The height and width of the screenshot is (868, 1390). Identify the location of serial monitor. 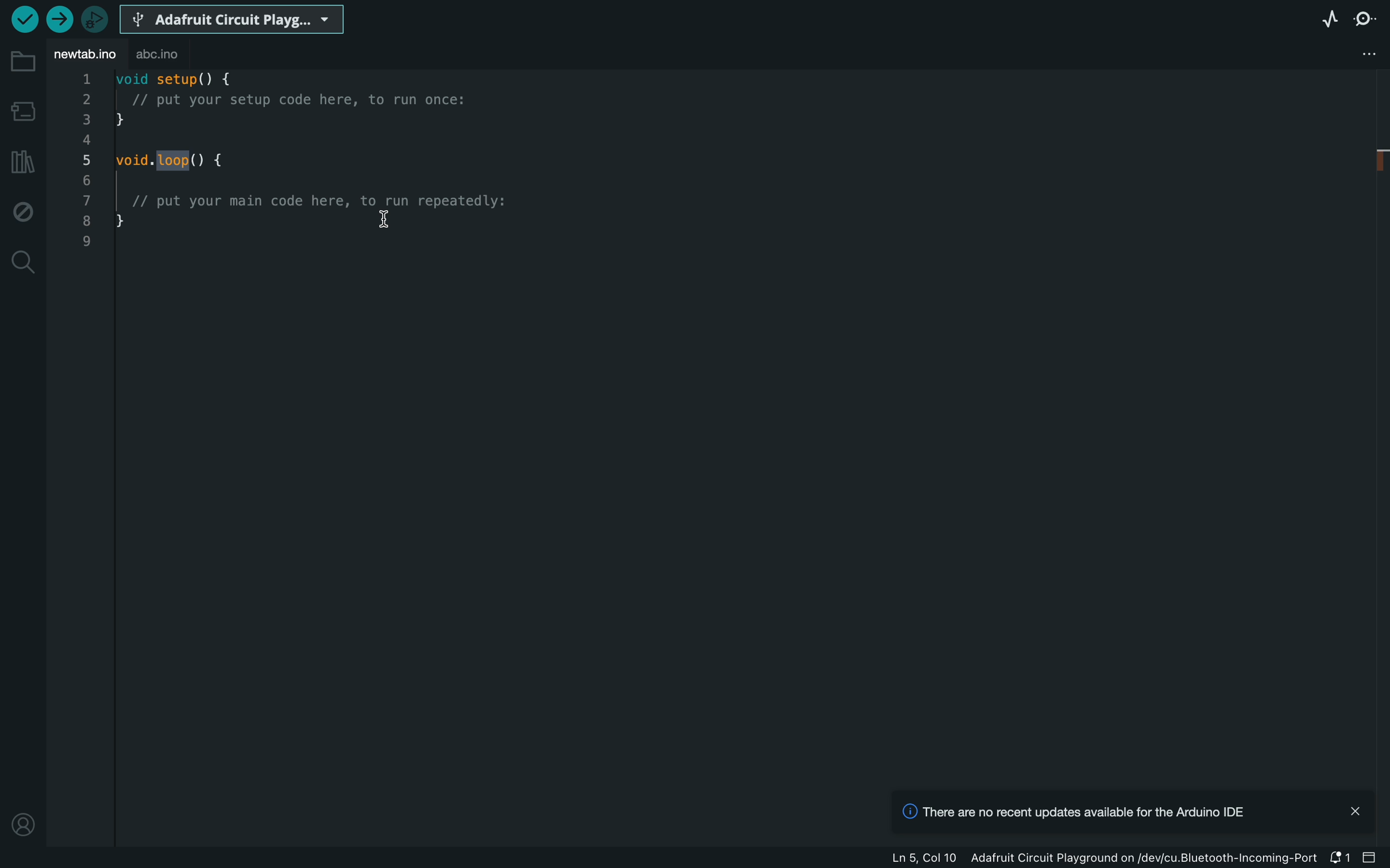
(1365, 17).